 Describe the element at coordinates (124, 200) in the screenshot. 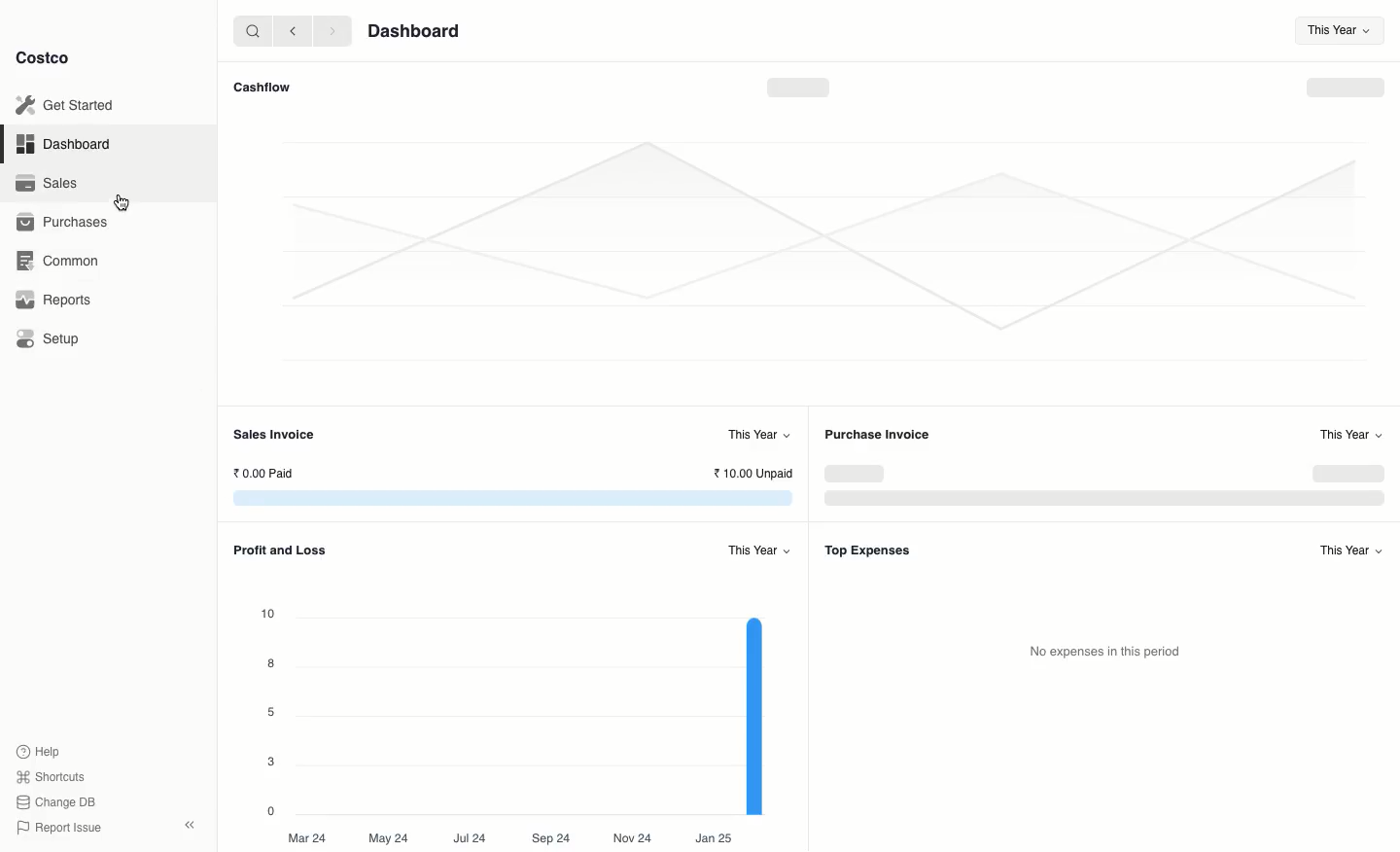

I see `cursor` at that location.